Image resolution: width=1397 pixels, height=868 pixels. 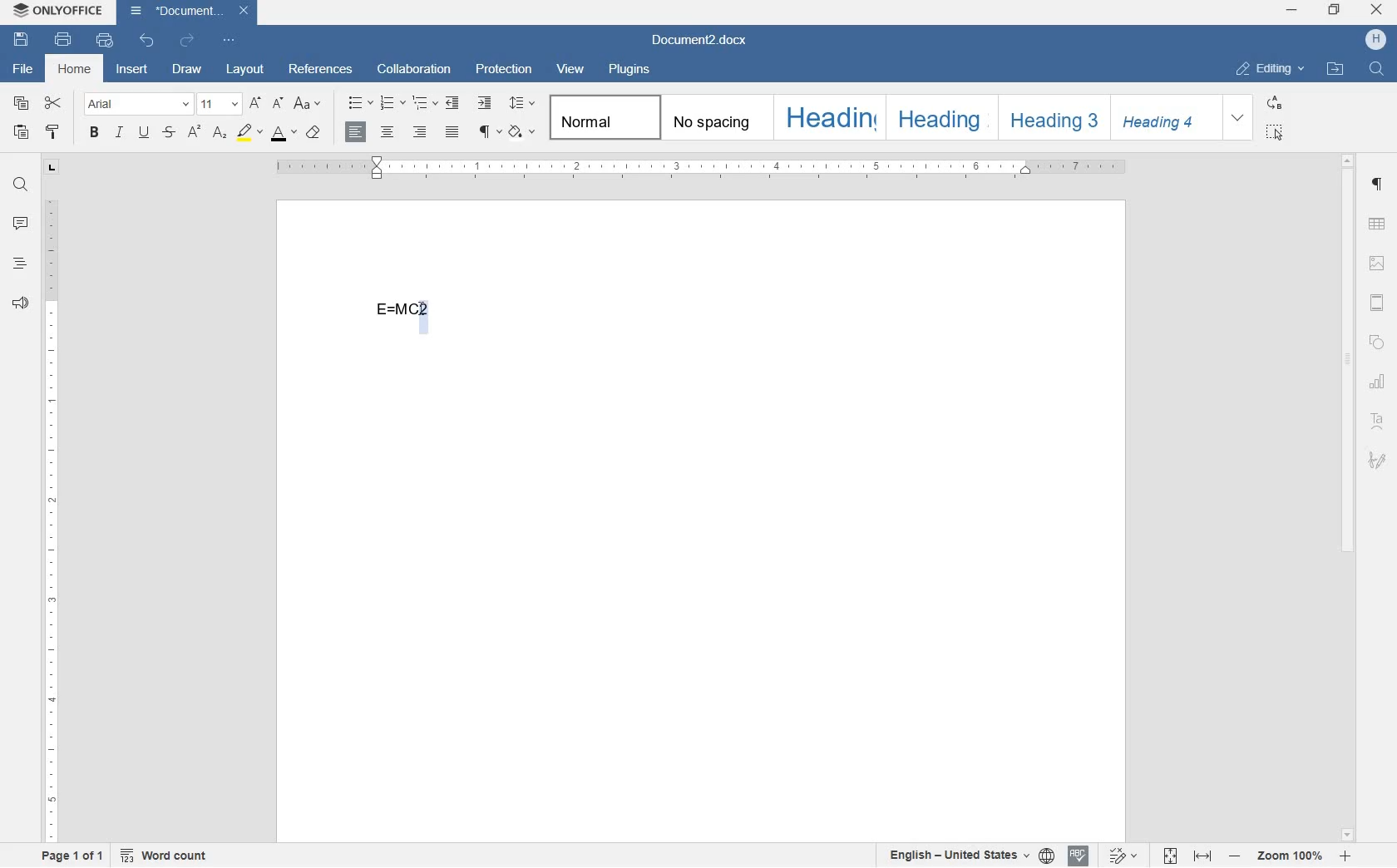 What do you see at coordinates (705, 39) in the screenshot?
I see `file name` at bounding box center [705, 39].